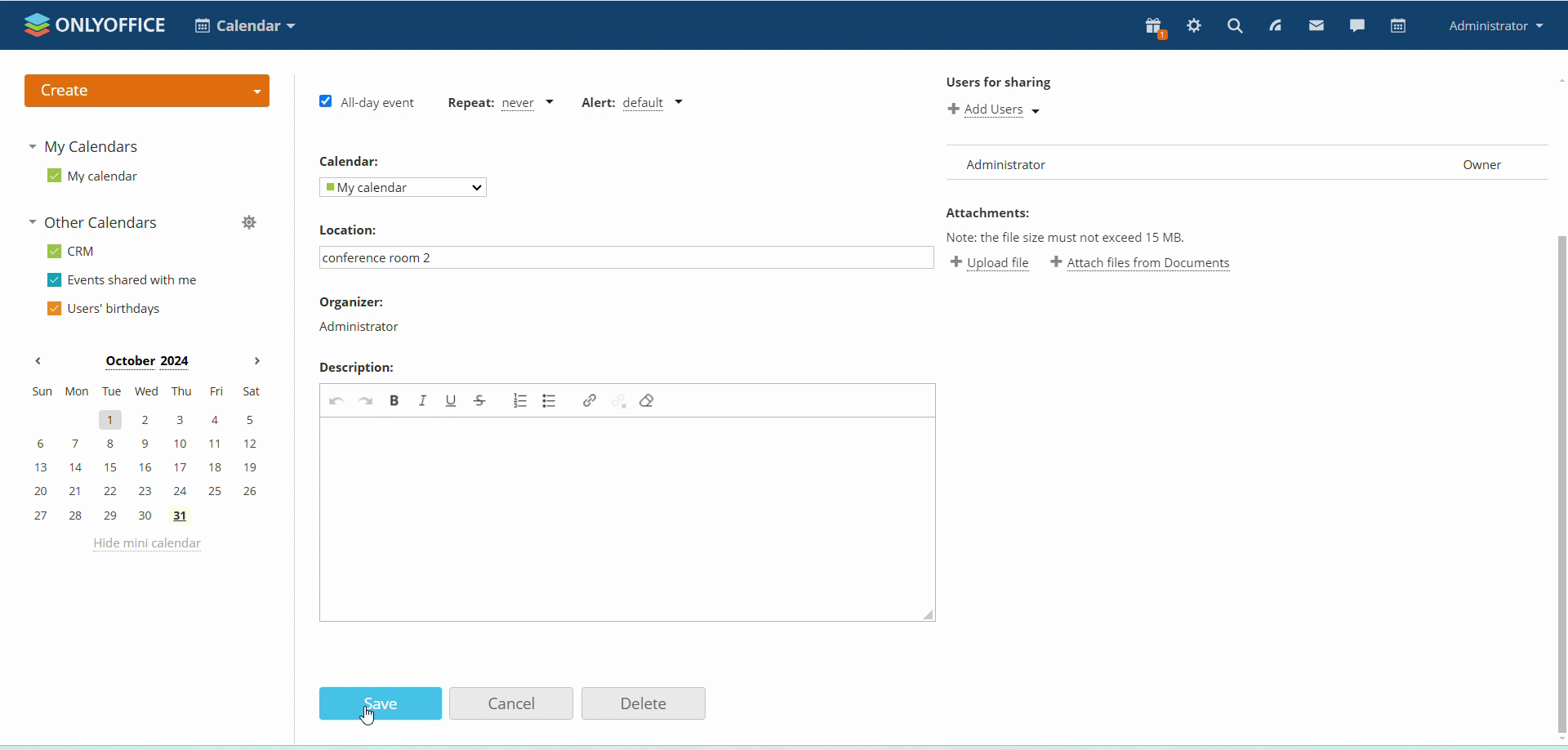 This screenshot has width=1568, height=750. What do you see at coordinates (359, 328) in the screenshot?
I see `Administrator` at bounding box center [359, 328].